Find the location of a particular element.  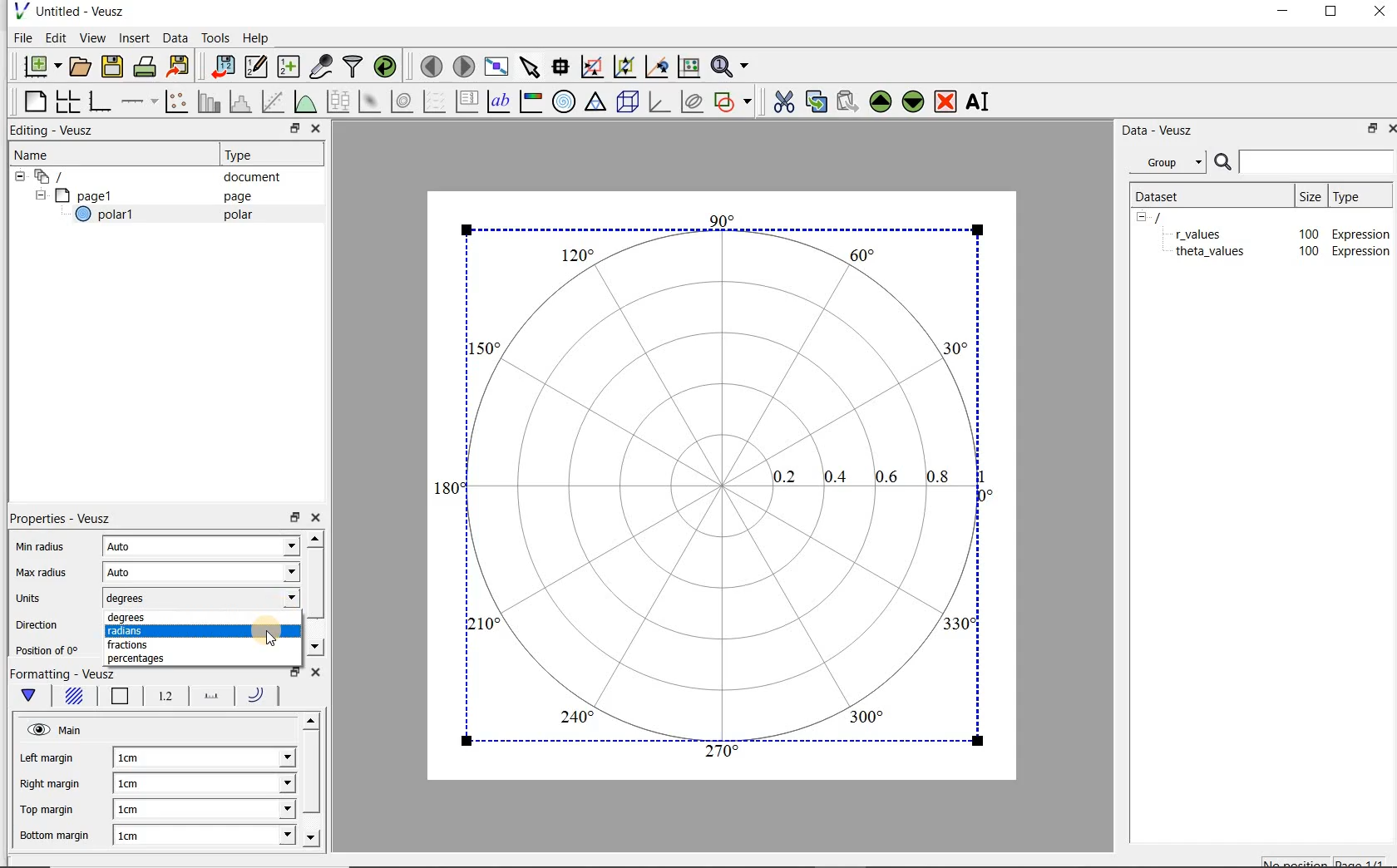

Bottom margin dropdown is located at coordinates (251, 835).